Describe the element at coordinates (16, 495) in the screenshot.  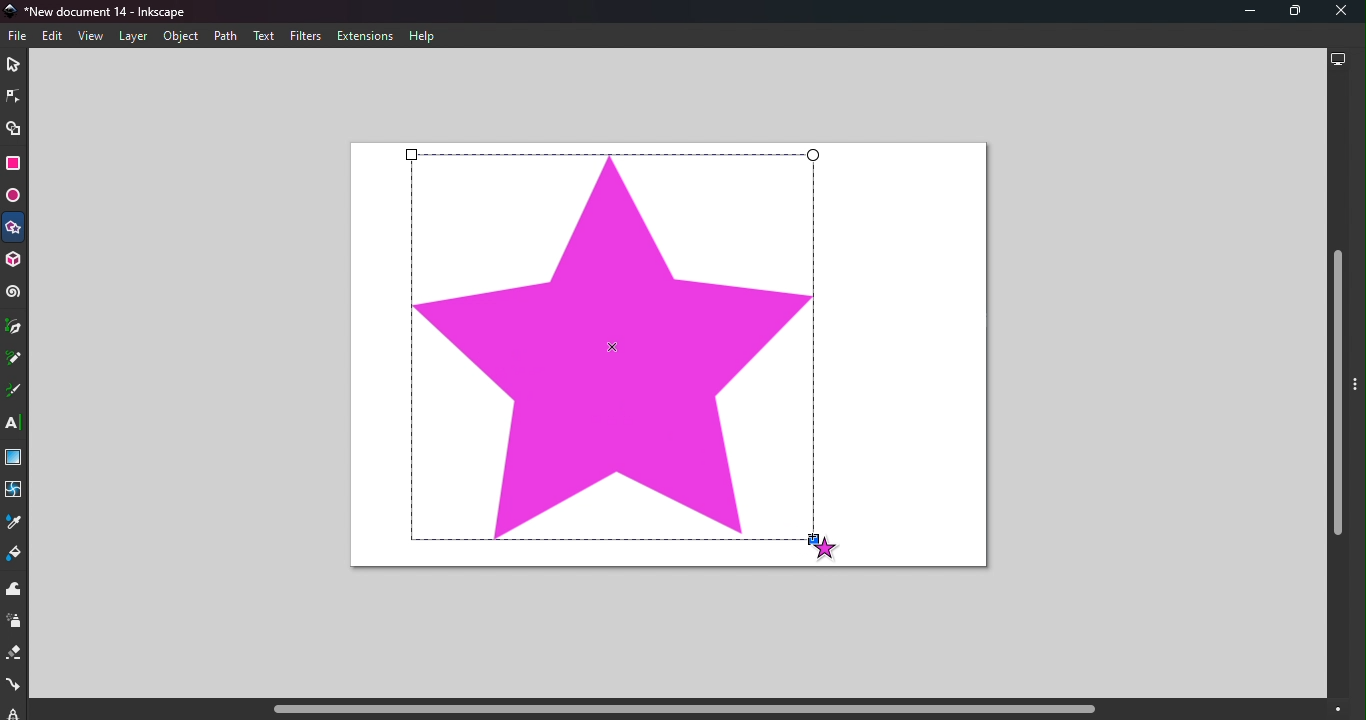
I see `Mesh tool` at that location.